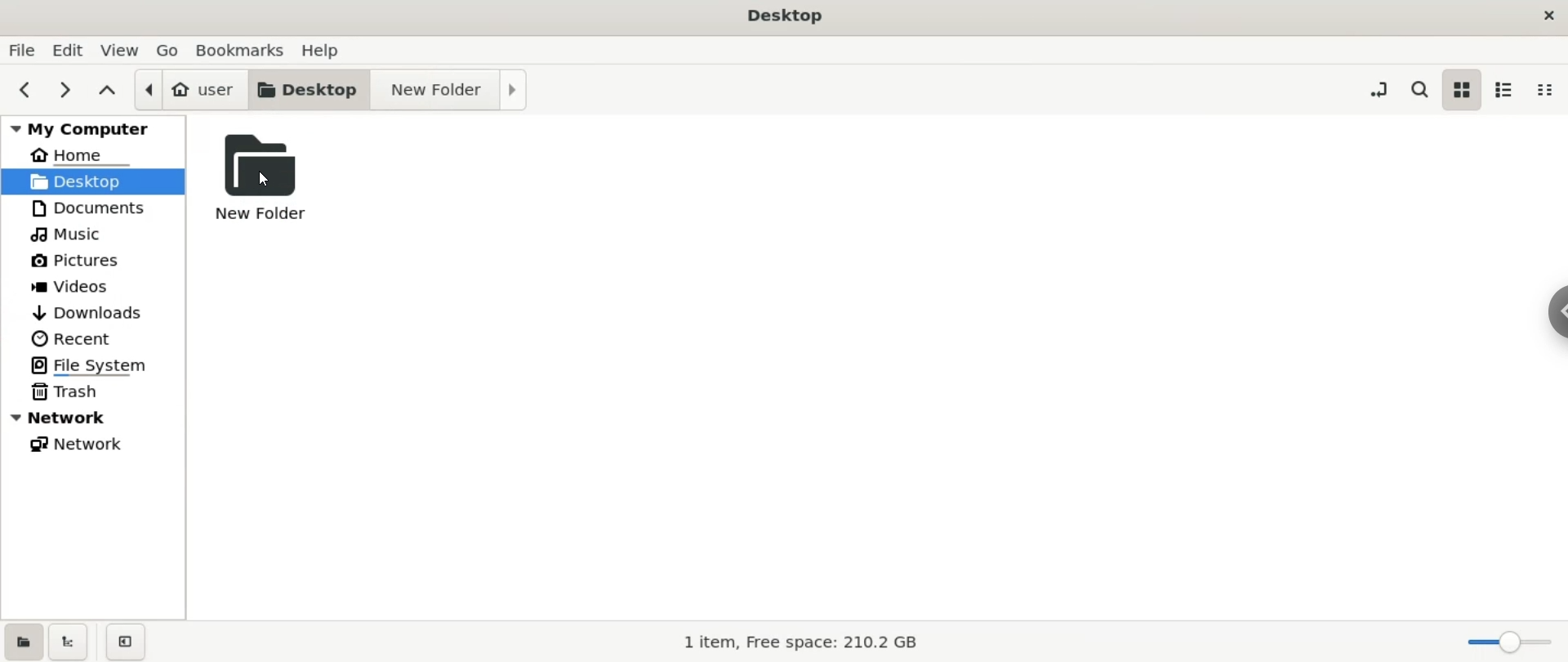 The width and height of the screenshot is (1568, 662). I want to click on list view, so click(1506, 91).